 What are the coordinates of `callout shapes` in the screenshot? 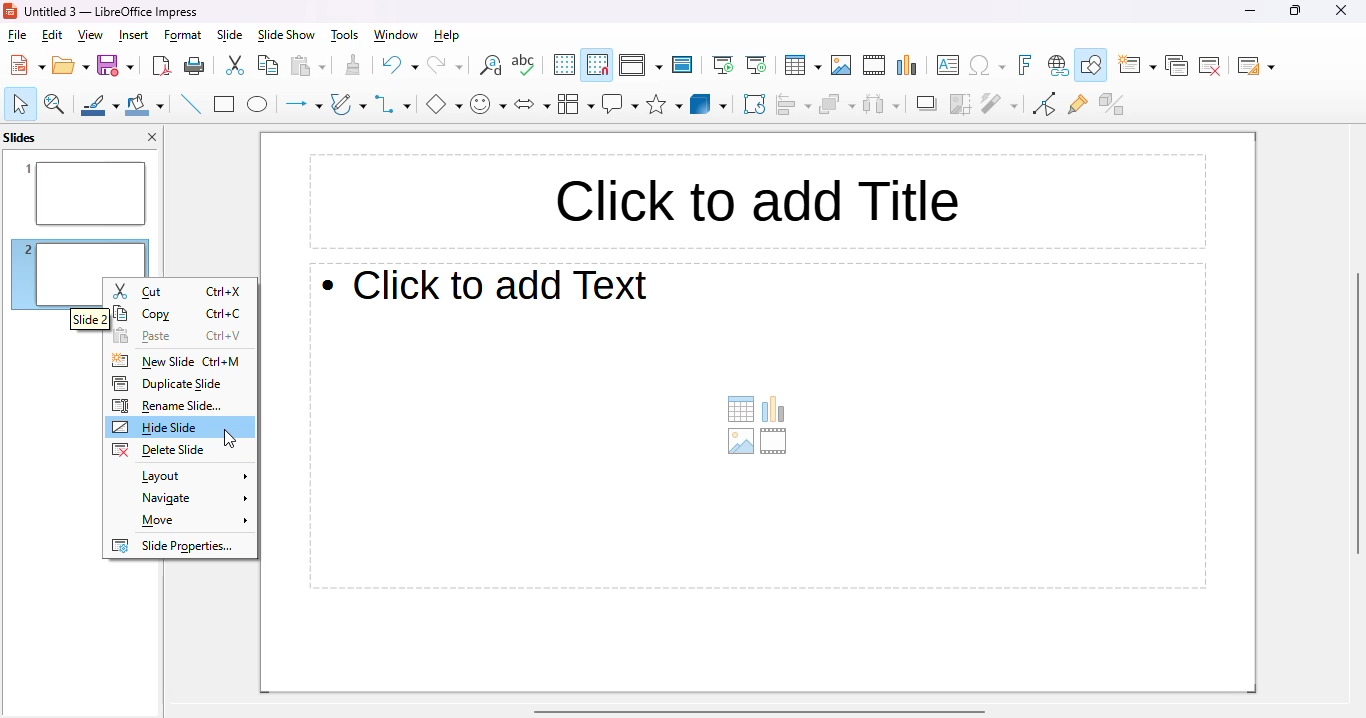 It's located at (621, 104).